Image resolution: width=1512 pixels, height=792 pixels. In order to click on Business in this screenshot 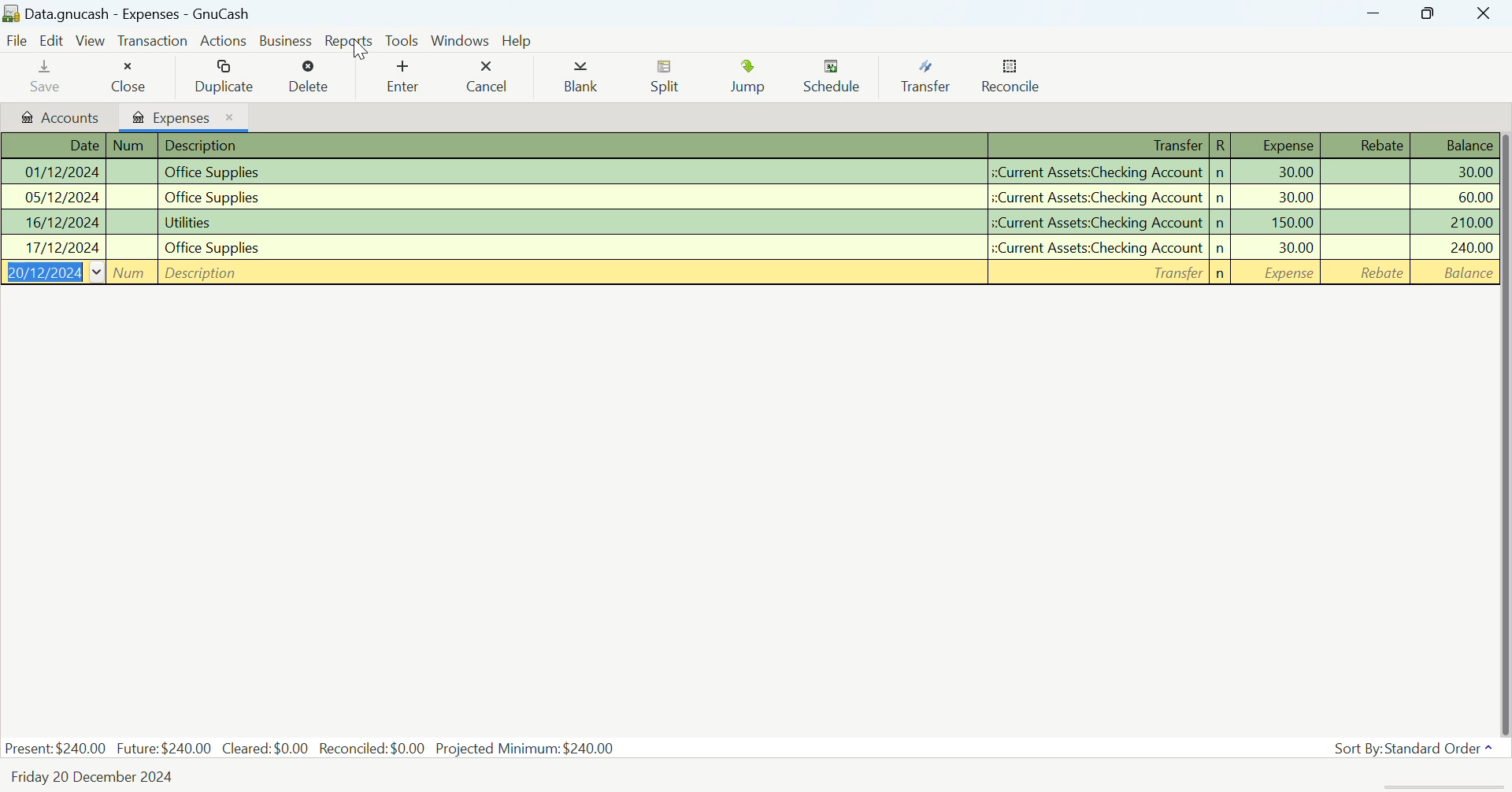, I will do `click(287, 39)`.